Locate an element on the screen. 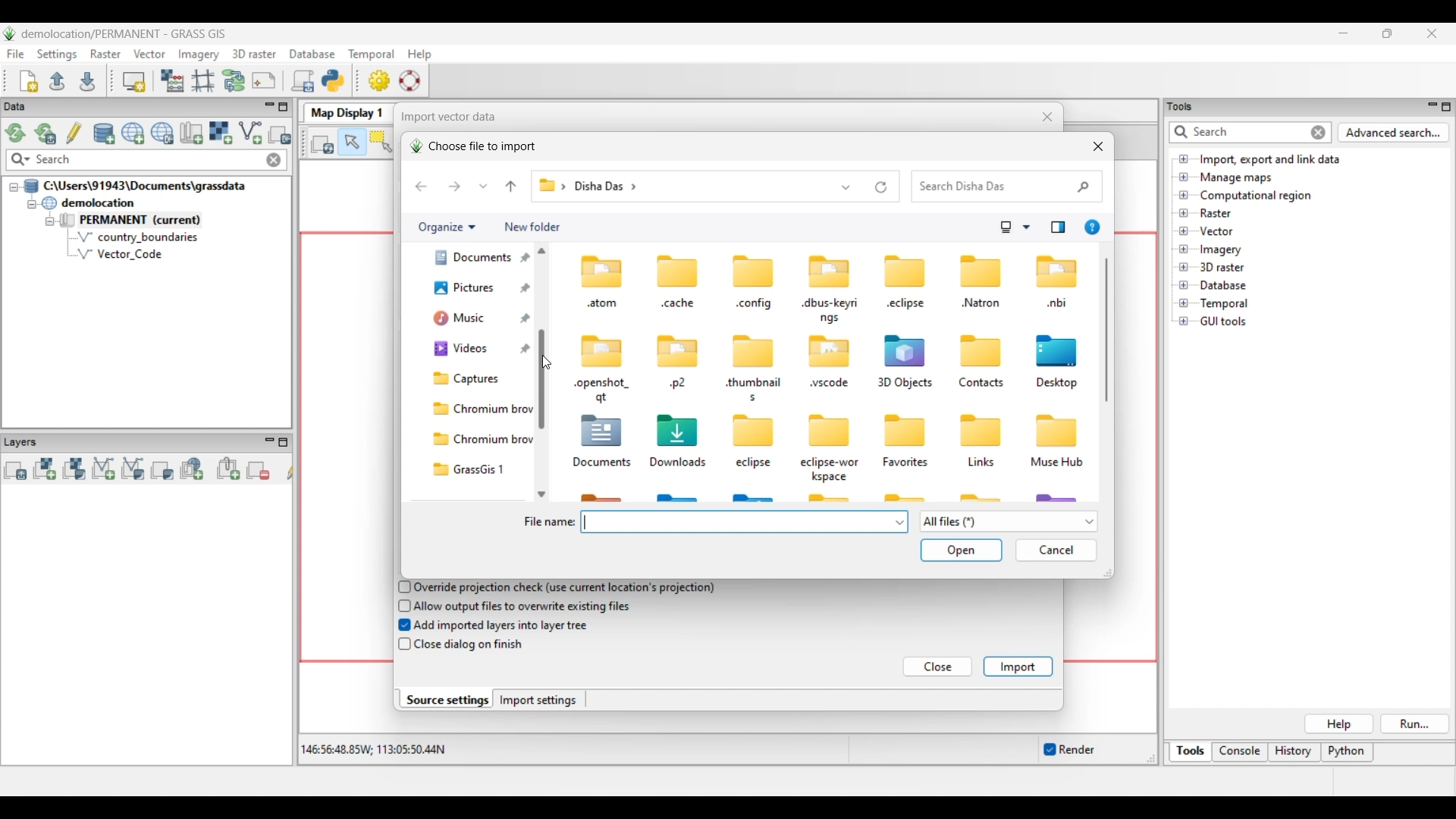 The height and width of the screenshot is (819, 1456). checkbox is located at coordinates (401, 605).